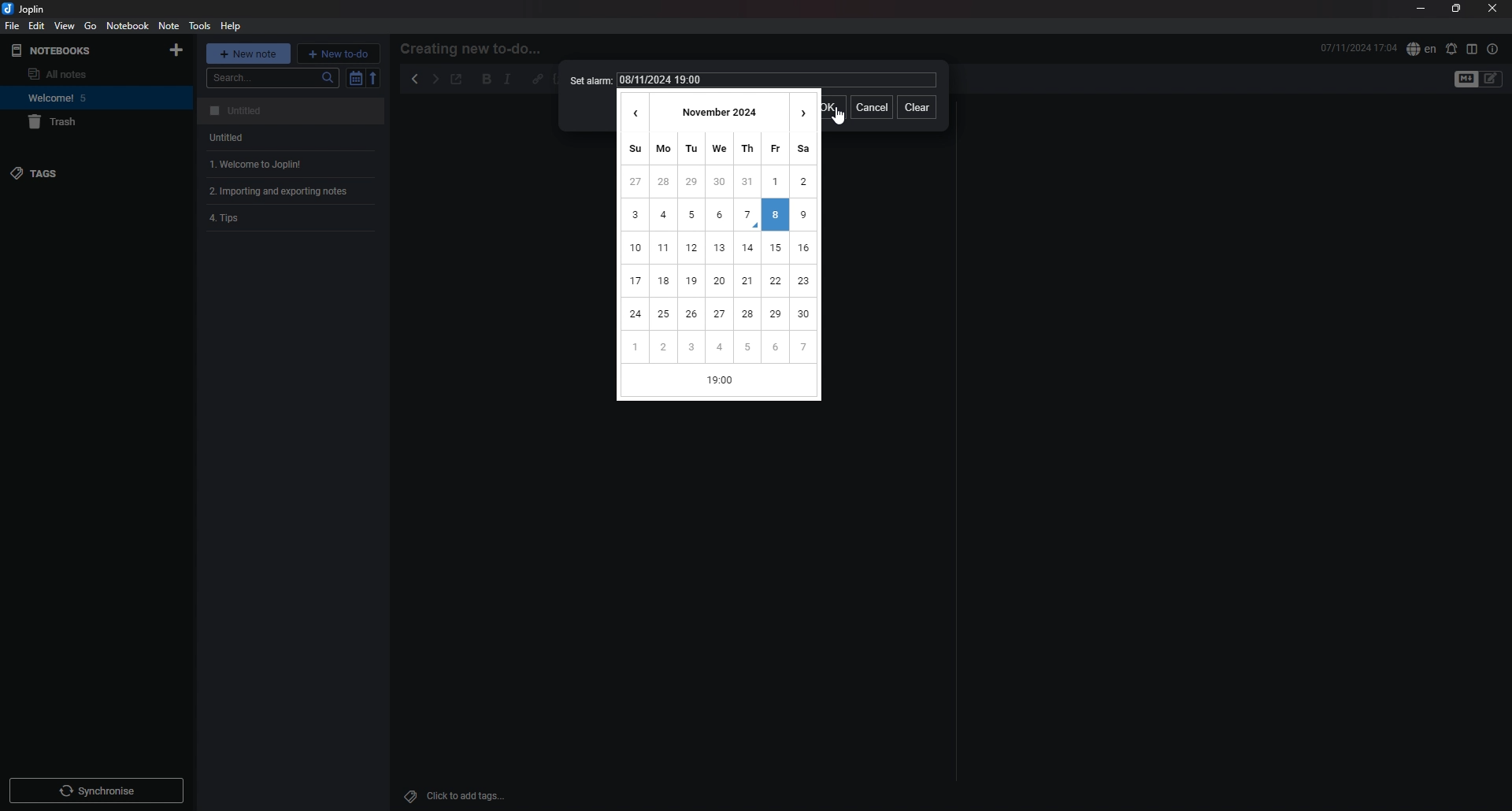 This screenshot has width=1512, height=811. What do you see at coordinates (1492, 9) in the screenshot?
I see `close` at bounding box center [1492, 9].